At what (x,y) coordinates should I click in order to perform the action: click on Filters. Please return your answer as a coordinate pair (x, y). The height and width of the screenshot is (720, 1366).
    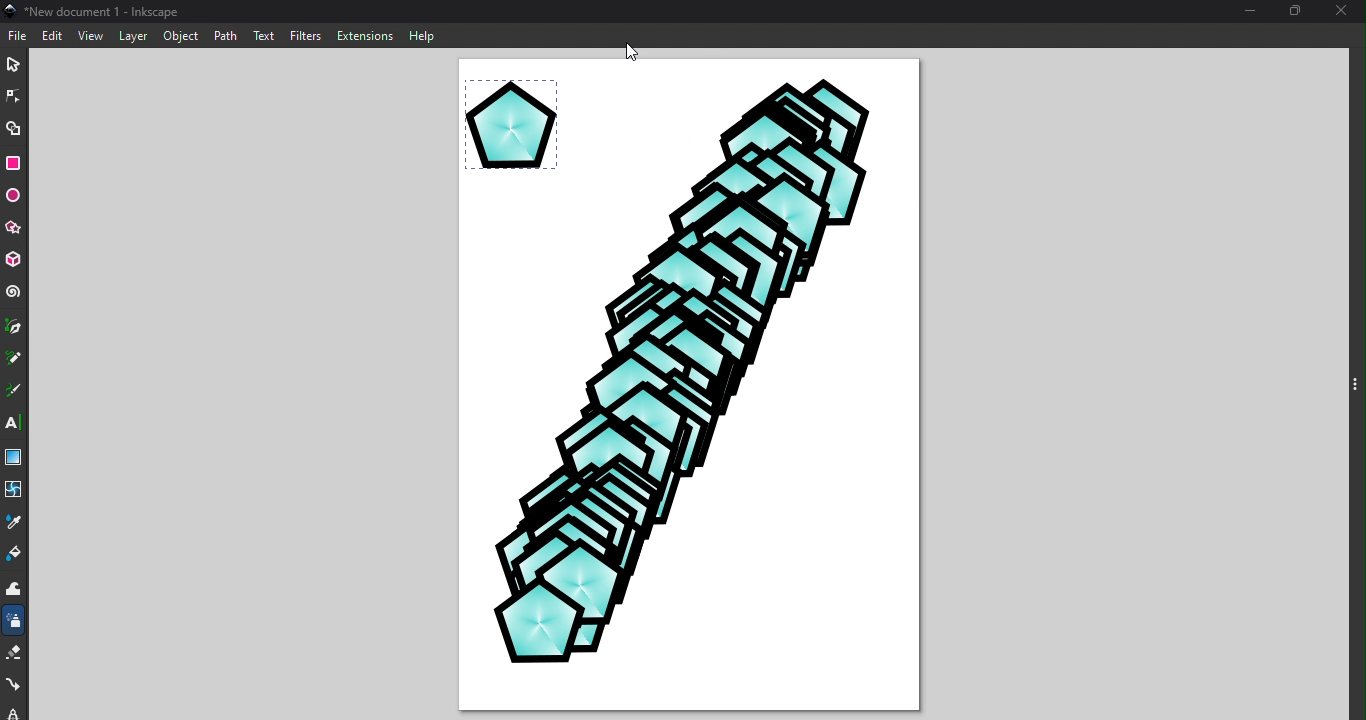
    Looking at the image, I should click on (304, 35).